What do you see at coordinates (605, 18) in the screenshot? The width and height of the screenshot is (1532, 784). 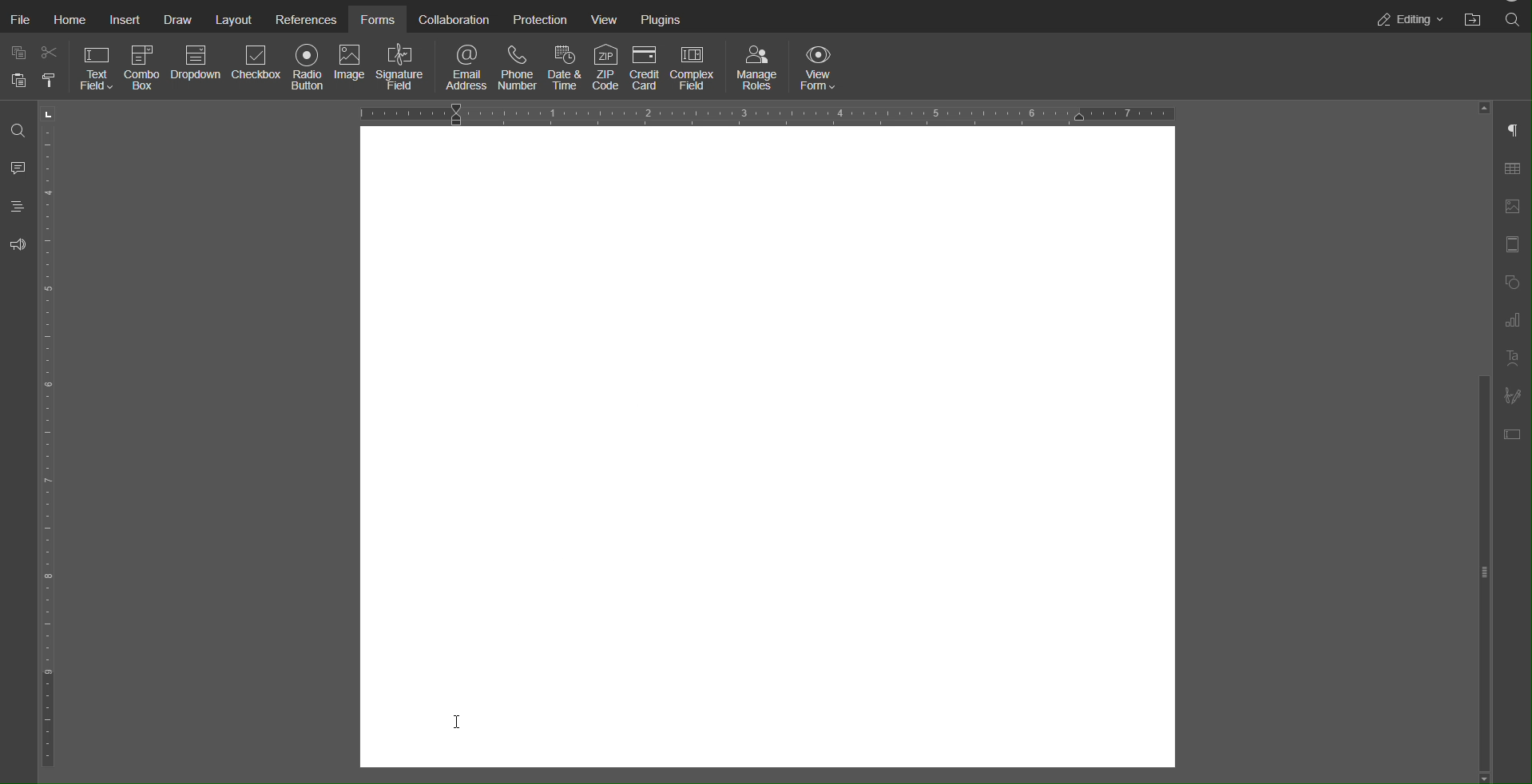 I see `View` at bounding box center [605, 18].